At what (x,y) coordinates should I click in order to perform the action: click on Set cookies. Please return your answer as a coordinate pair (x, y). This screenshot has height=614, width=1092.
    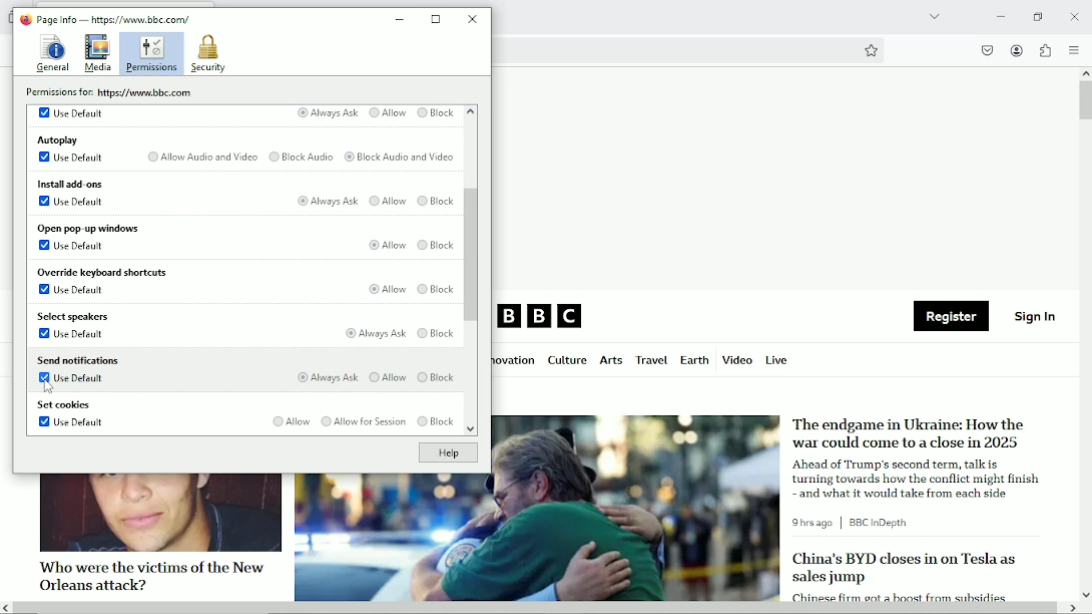
    Looking at the image, I should click on (64, 406).